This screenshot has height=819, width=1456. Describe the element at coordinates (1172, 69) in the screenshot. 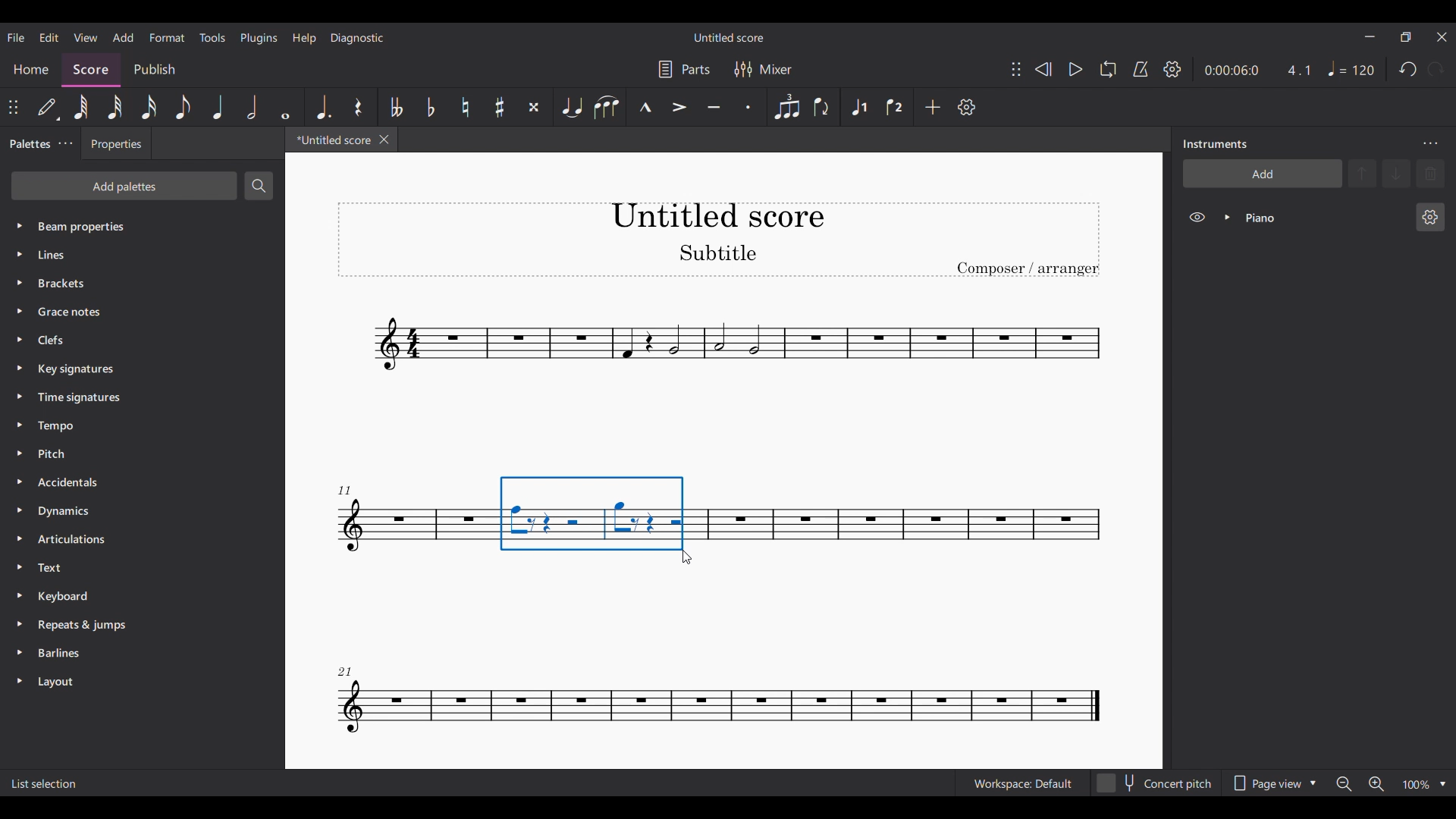

I see `Playback settings` at that location.